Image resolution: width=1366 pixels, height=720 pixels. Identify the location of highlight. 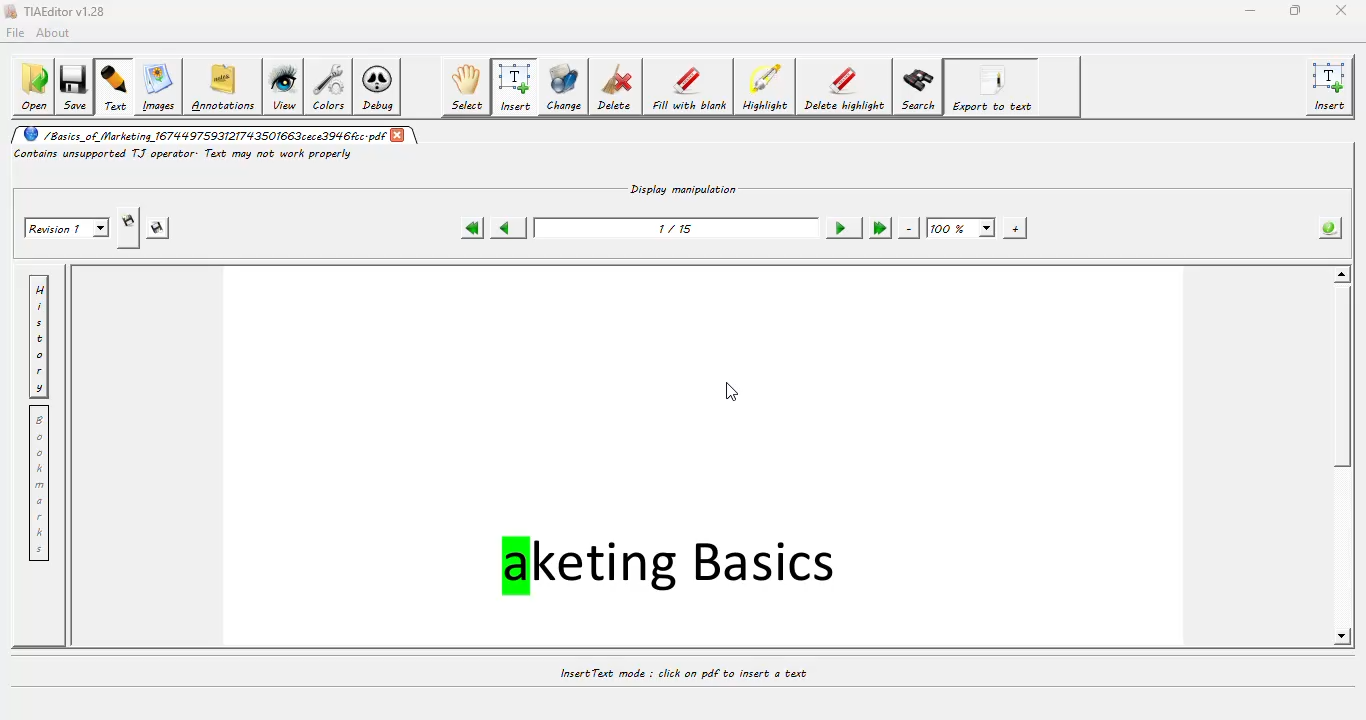
(767, 88).